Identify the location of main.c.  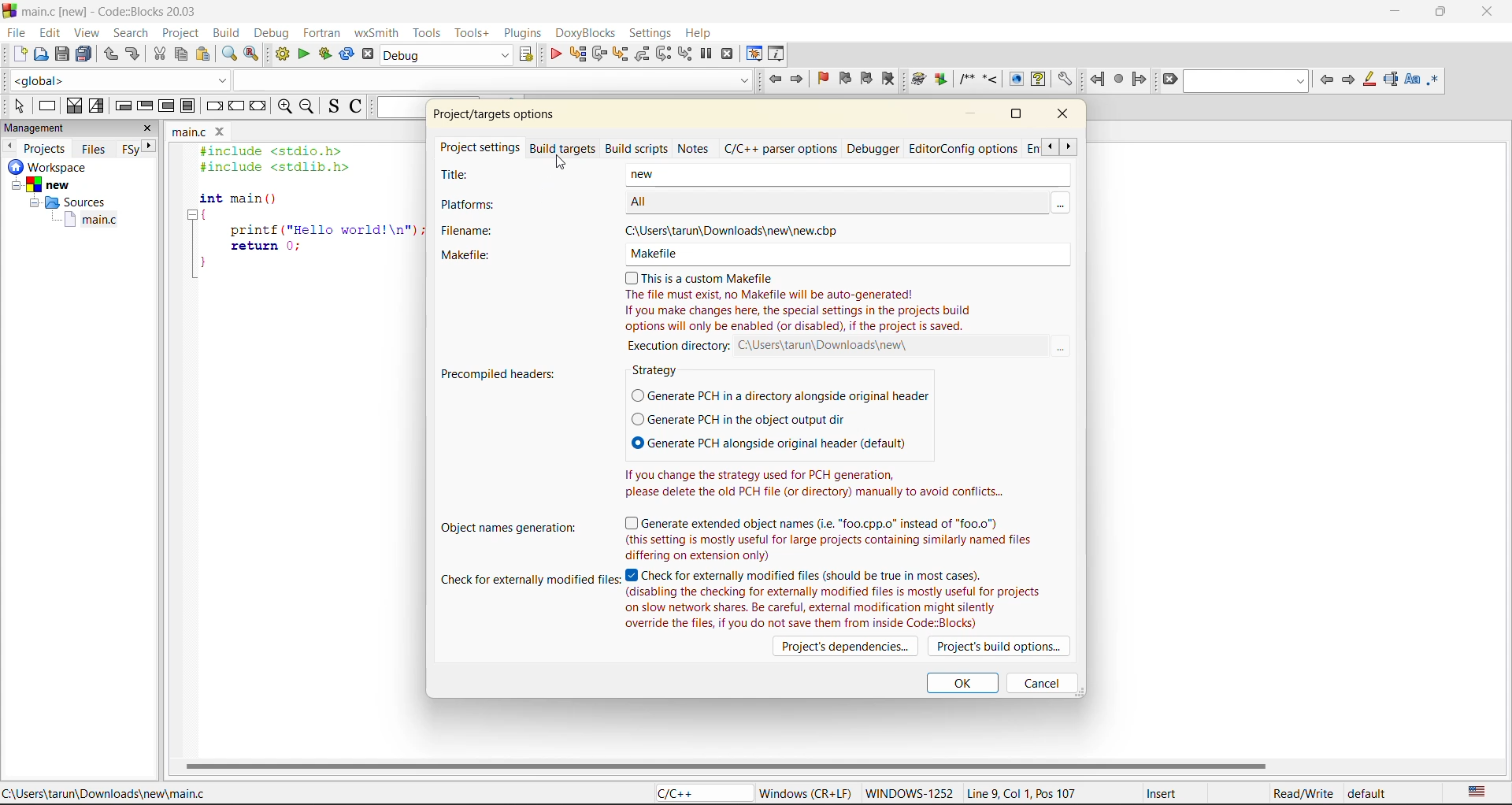
(72, 220).